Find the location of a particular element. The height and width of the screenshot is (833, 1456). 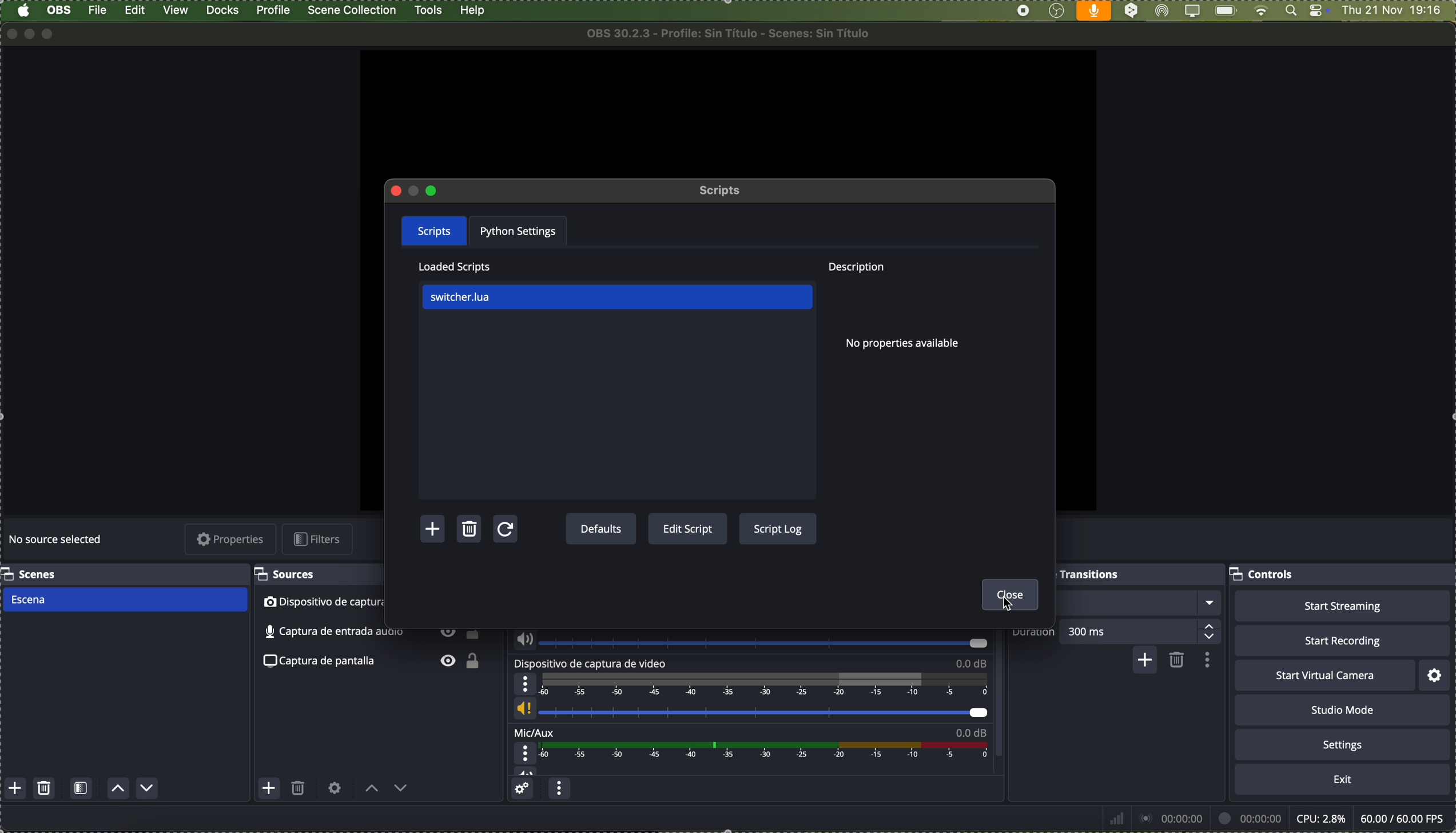

file is located at coordinates (99, 10).